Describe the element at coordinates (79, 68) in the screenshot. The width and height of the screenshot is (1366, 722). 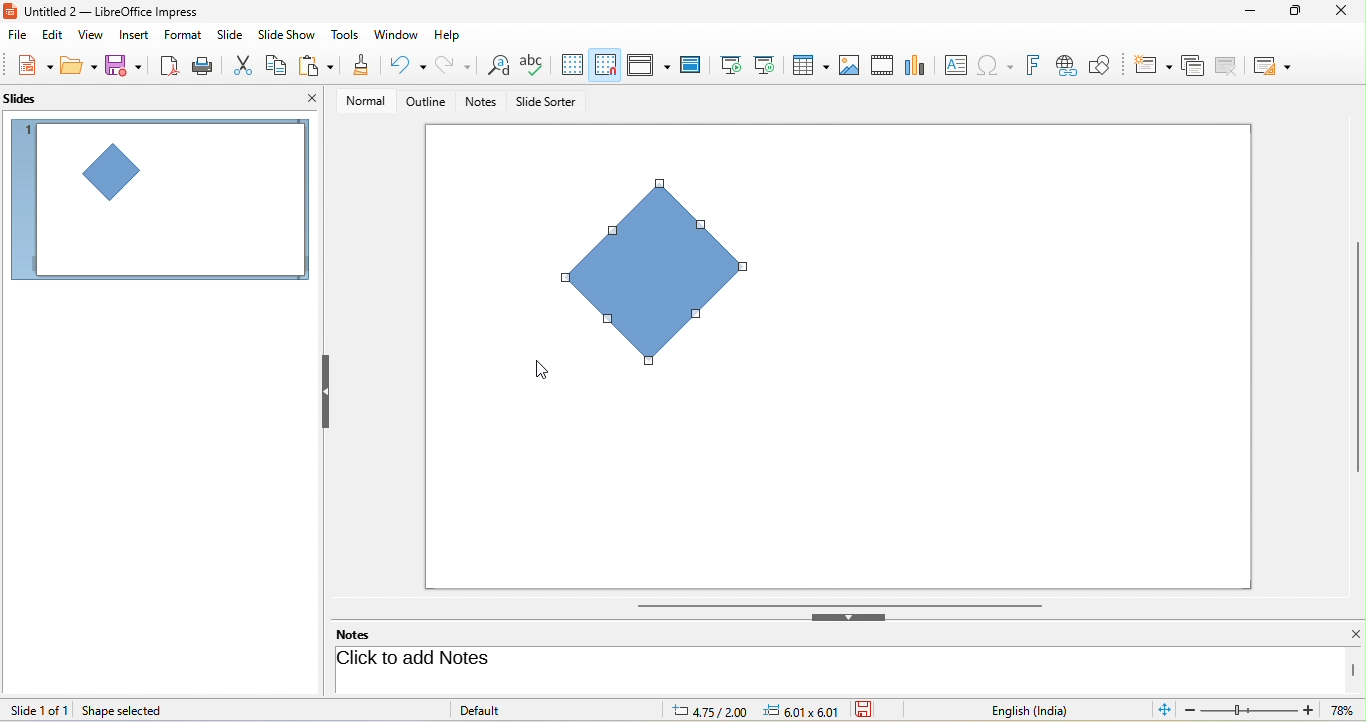
I see `open` at that location.